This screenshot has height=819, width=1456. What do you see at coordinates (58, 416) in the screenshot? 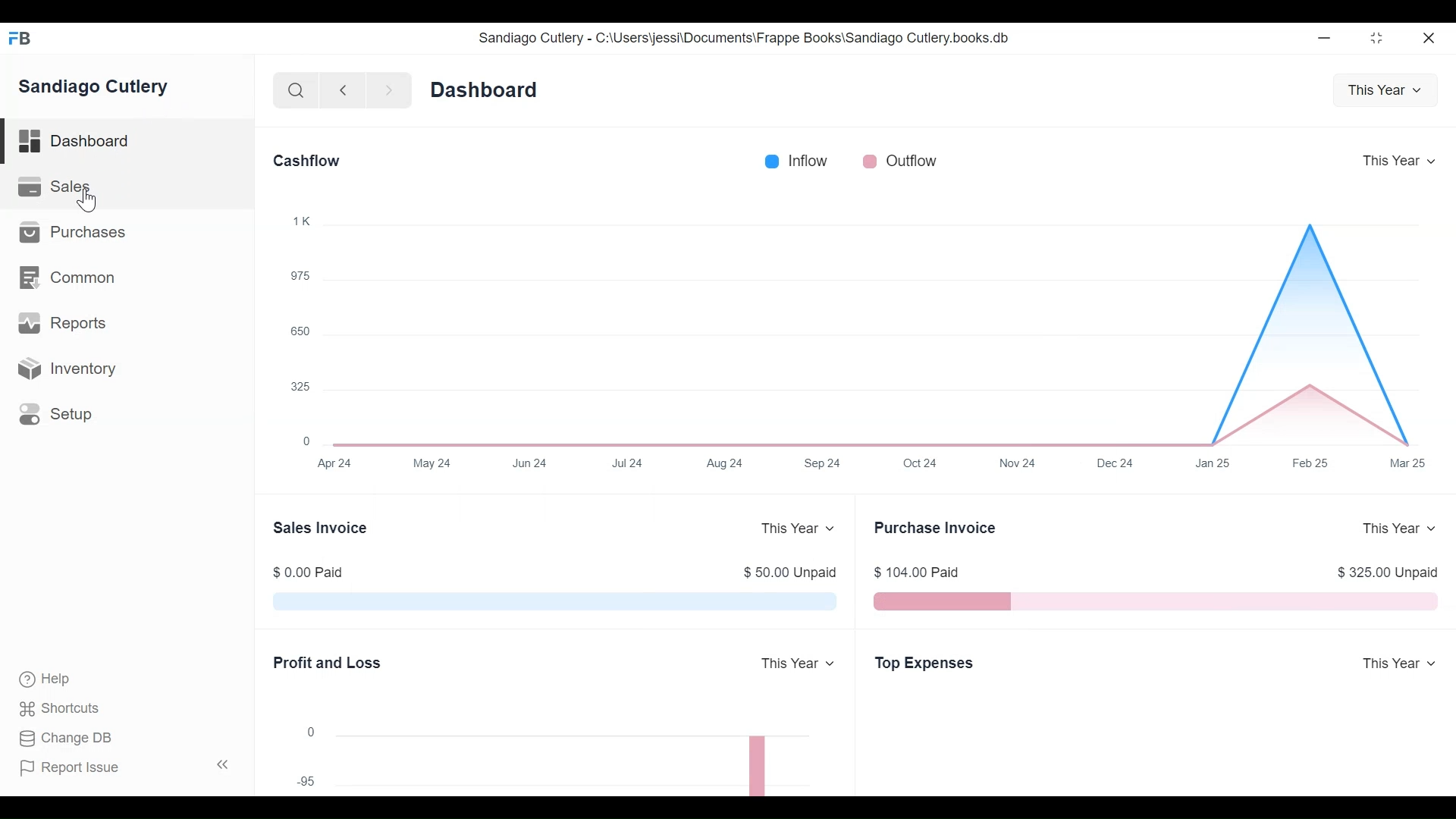
I see `Setup` at bounding box center [58, 416].